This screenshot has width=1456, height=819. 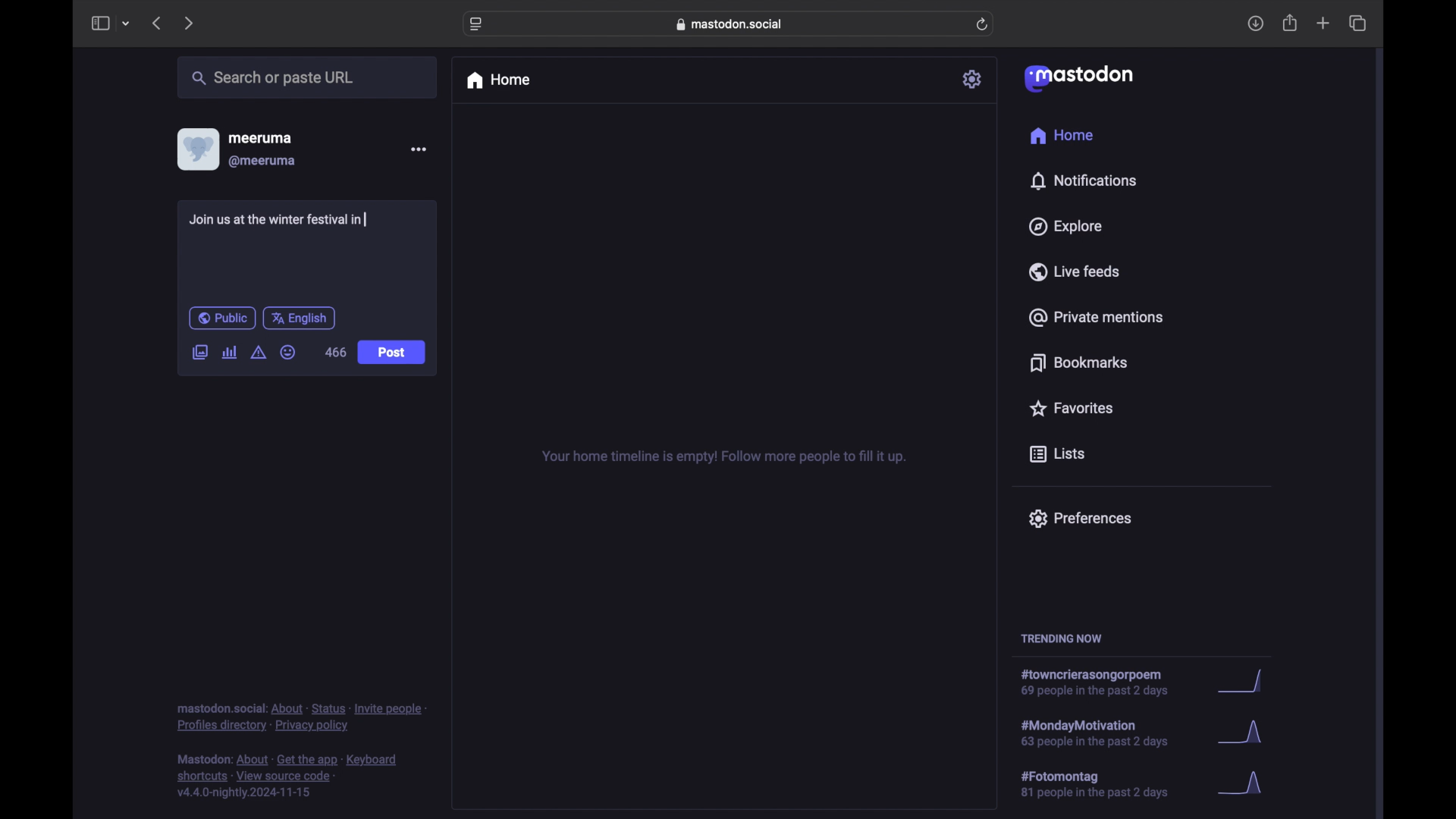 What do you see at coordinates (229, 352) in the screenshot?
I see `add  poll` at bounding box center [229, 352].